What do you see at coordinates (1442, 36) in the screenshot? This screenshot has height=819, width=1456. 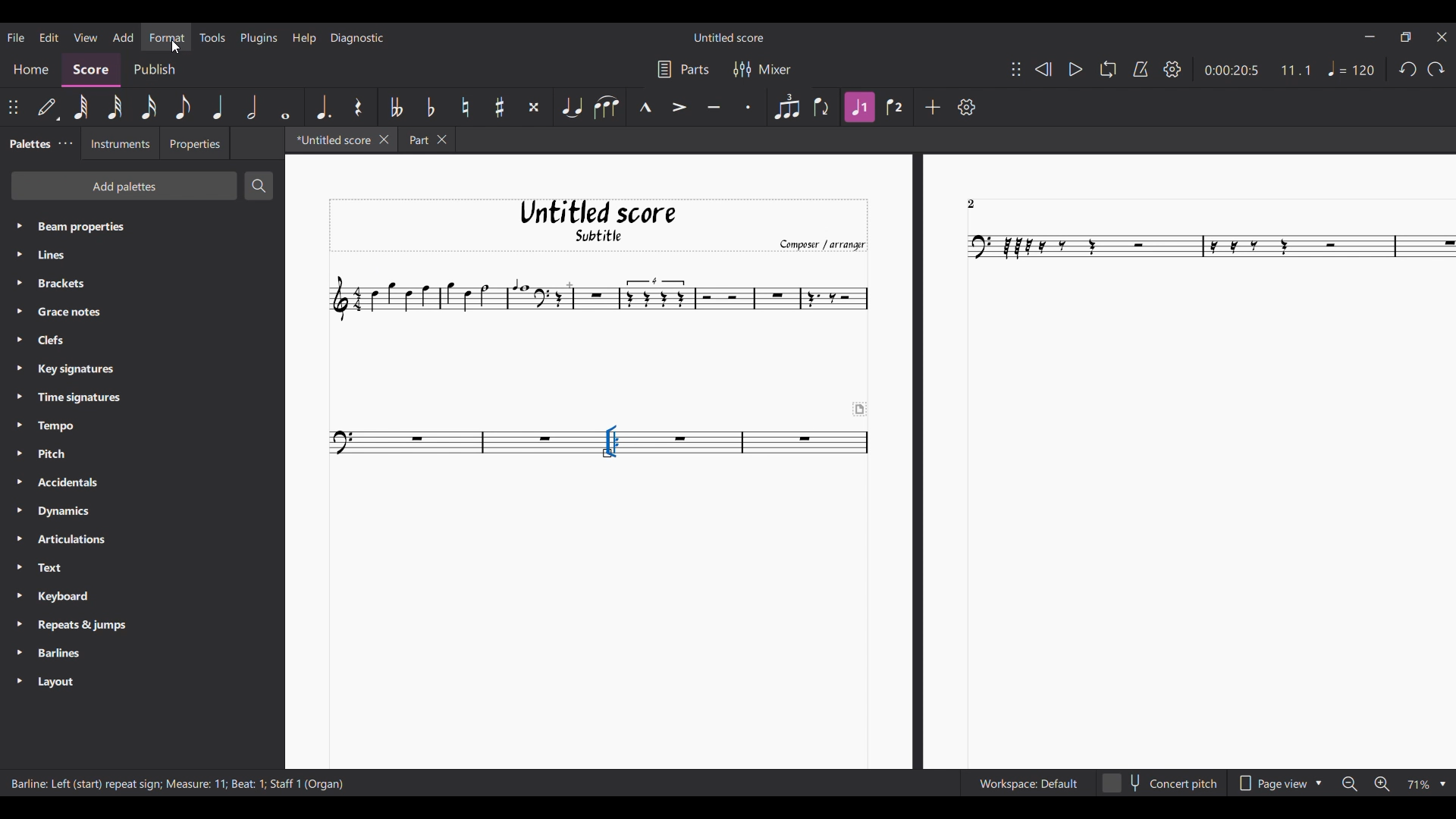 I see `Close interface` at bounding box center [1442, 36].